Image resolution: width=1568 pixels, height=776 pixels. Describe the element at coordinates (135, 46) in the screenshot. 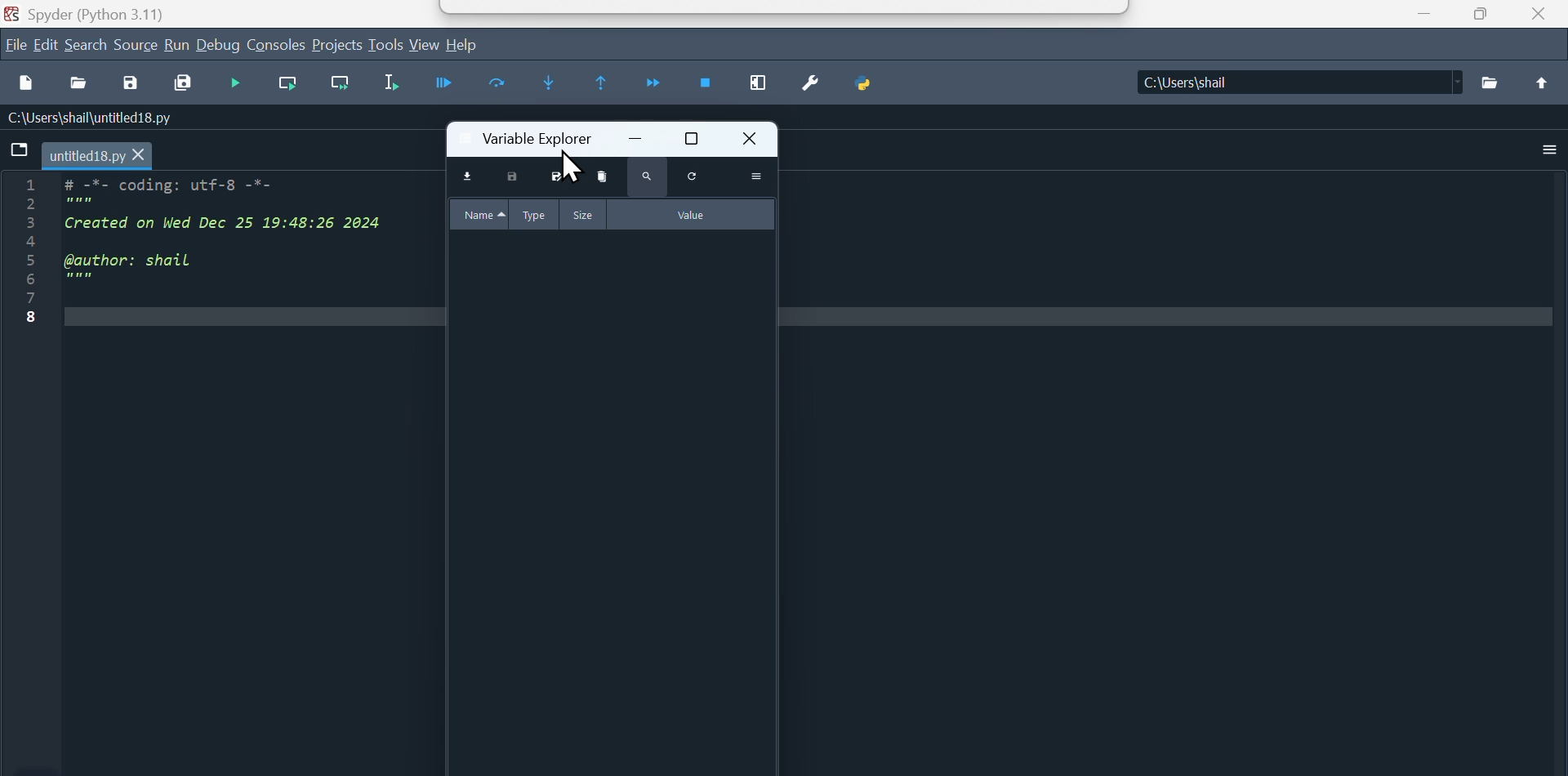

I see `` at that location.